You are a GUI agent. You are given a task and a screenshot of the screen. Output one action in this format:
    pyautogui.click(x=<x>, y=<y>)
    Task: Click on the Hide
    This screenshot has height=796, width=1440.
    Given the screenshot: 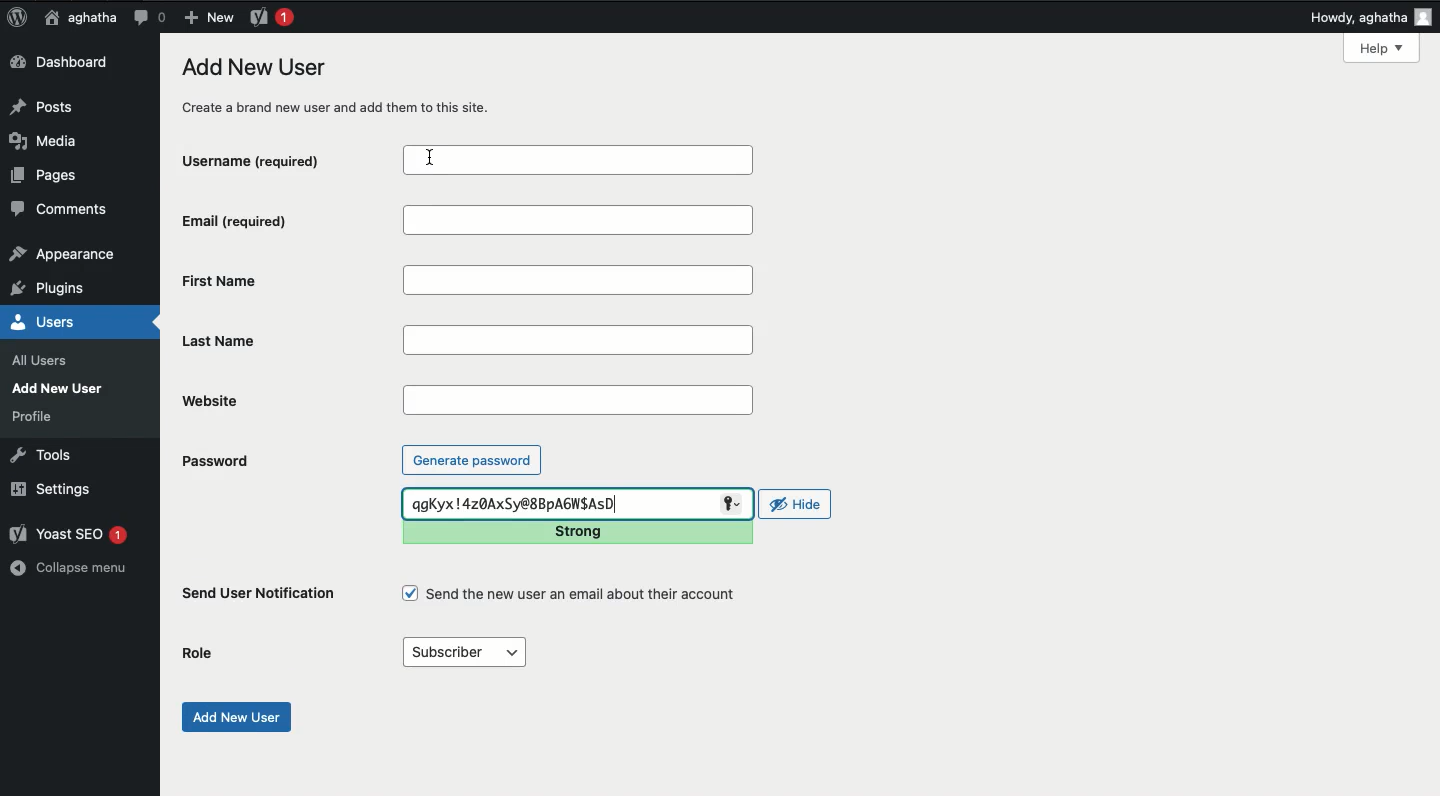 What is the action you would take?
    pyautogui.click(x=796, y=504)
    